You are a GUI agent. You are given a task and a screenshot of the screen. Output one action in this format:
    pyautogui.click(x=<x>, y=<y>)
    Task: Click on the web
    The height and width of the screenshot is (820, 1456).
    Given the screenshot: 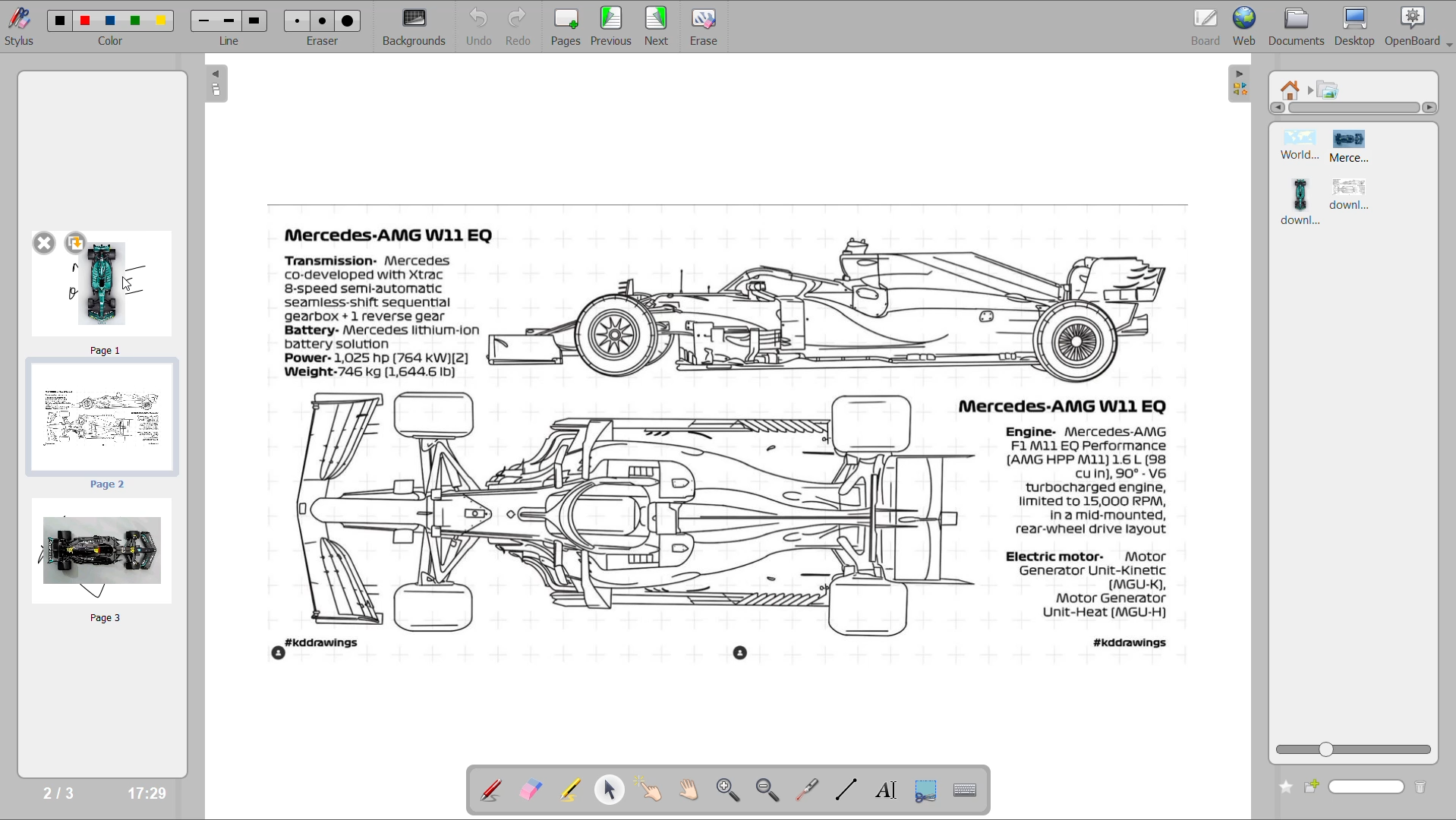 What is the action you would take?
    pyautogui.click(x=1246, y=25)
    